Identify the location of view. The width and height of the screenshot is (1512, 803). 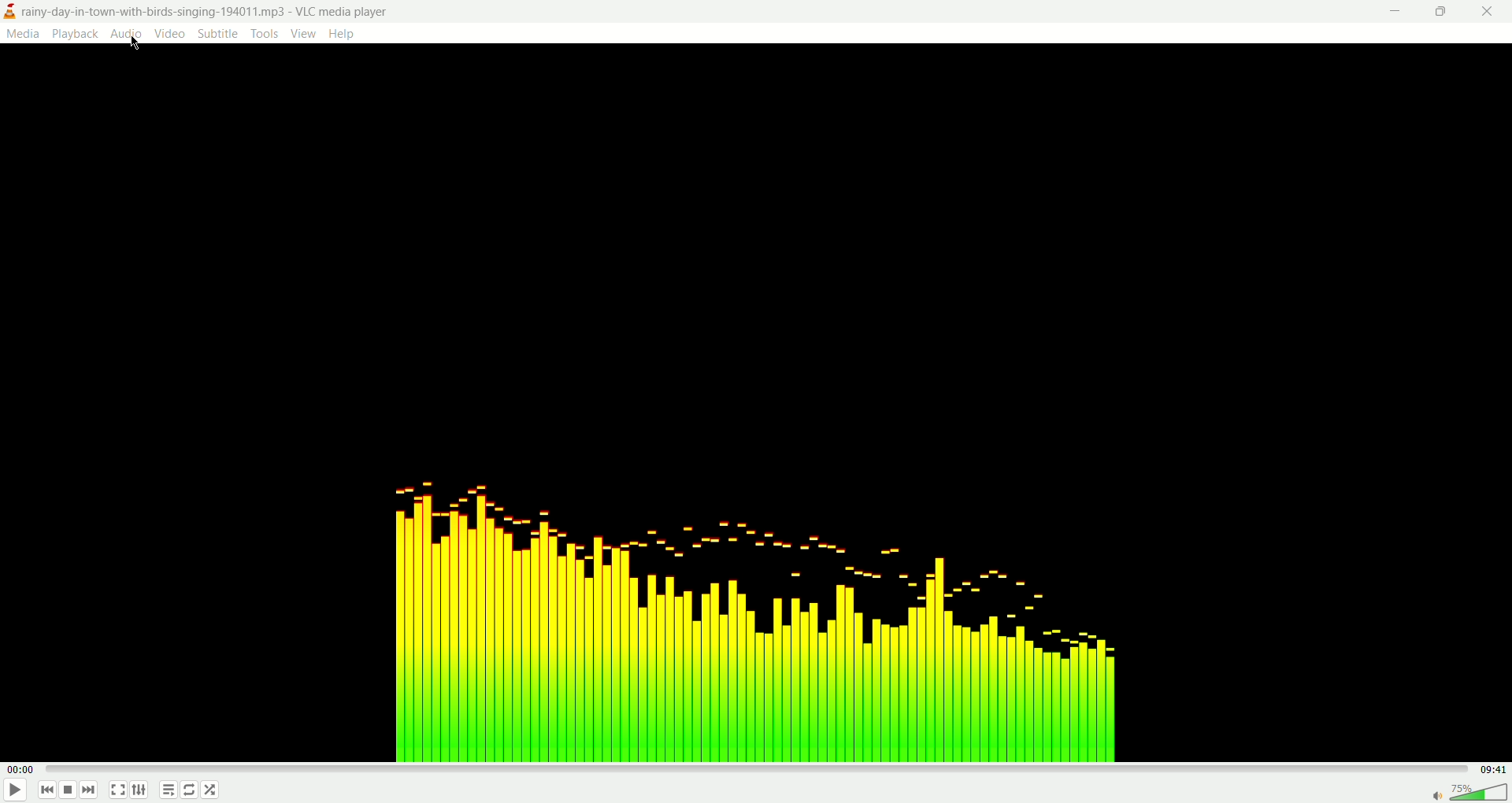
(303, 33).